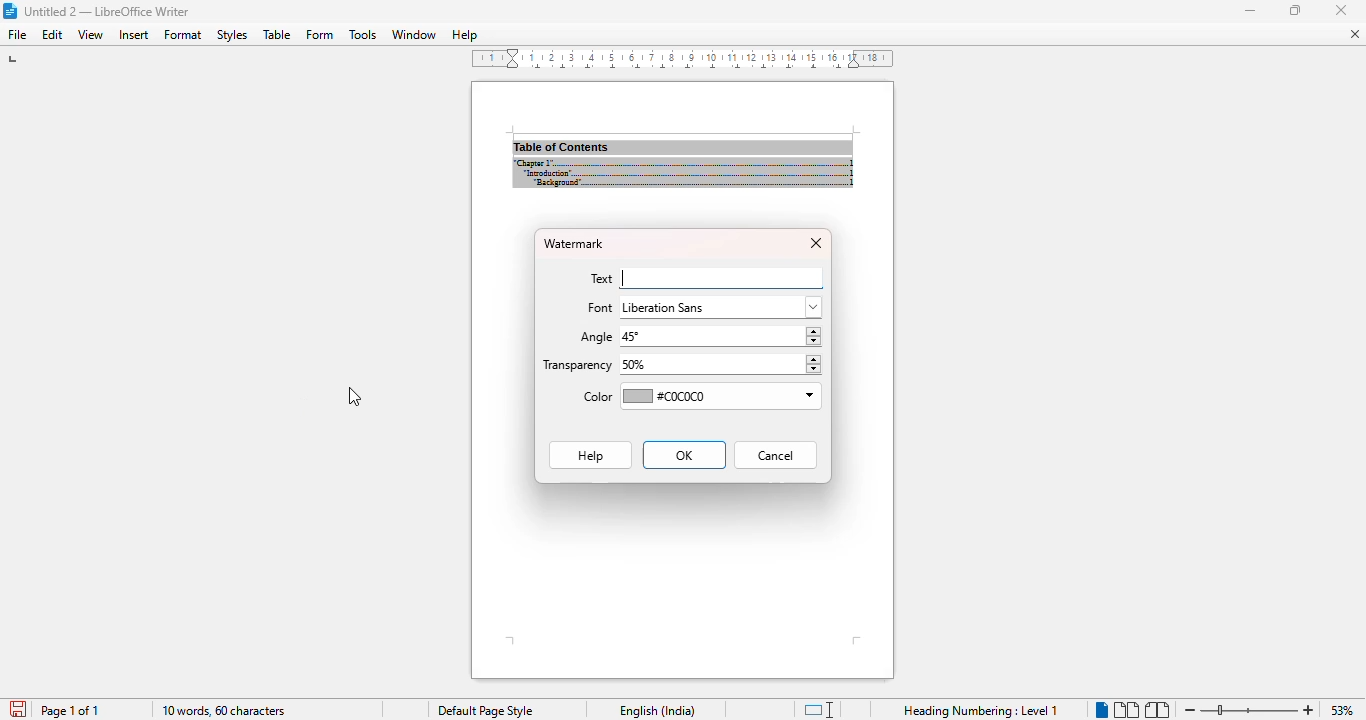 Image resolution: width=1366 pixels, height=720 pixels. What do you see at coordinates (91, 35) in the screenshot?
I see `view` at bounding box center [91, 35].